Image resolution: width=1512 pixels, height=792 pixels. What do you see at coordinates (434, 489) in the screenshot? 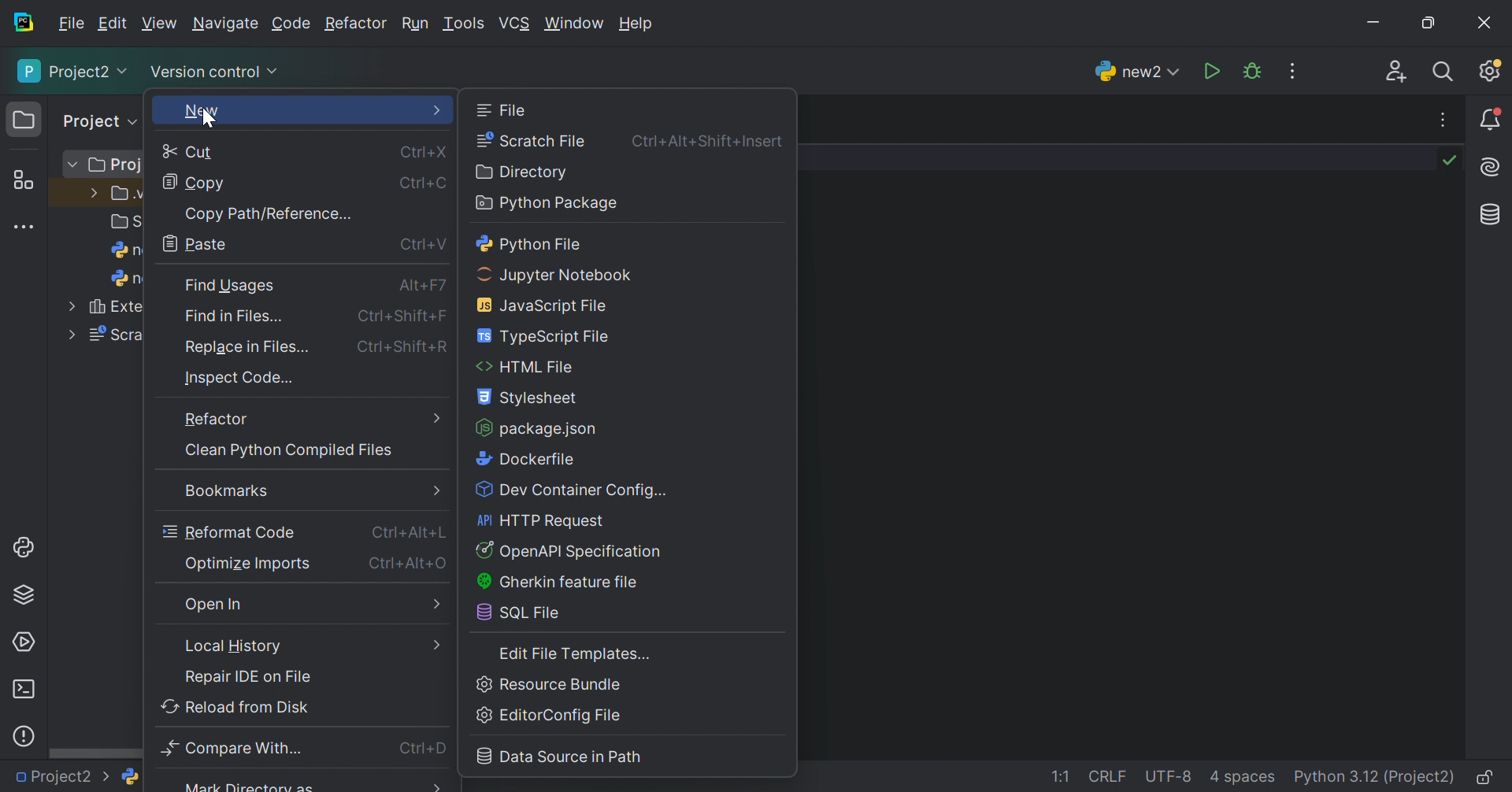
I see `` at bounding box center [434, 489].